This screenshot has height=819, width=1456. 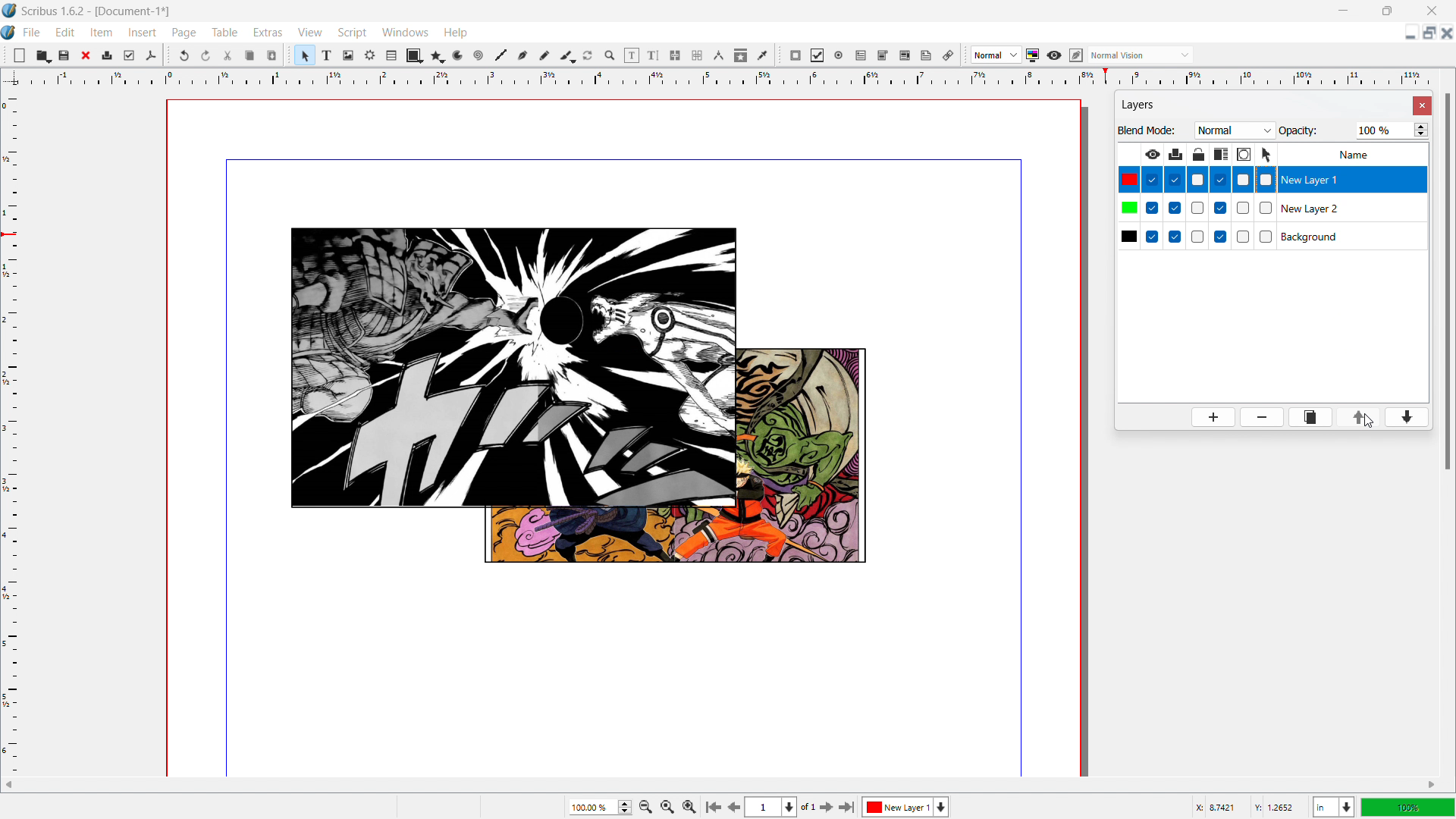 I want to click on print, so click(x=107, y=55).